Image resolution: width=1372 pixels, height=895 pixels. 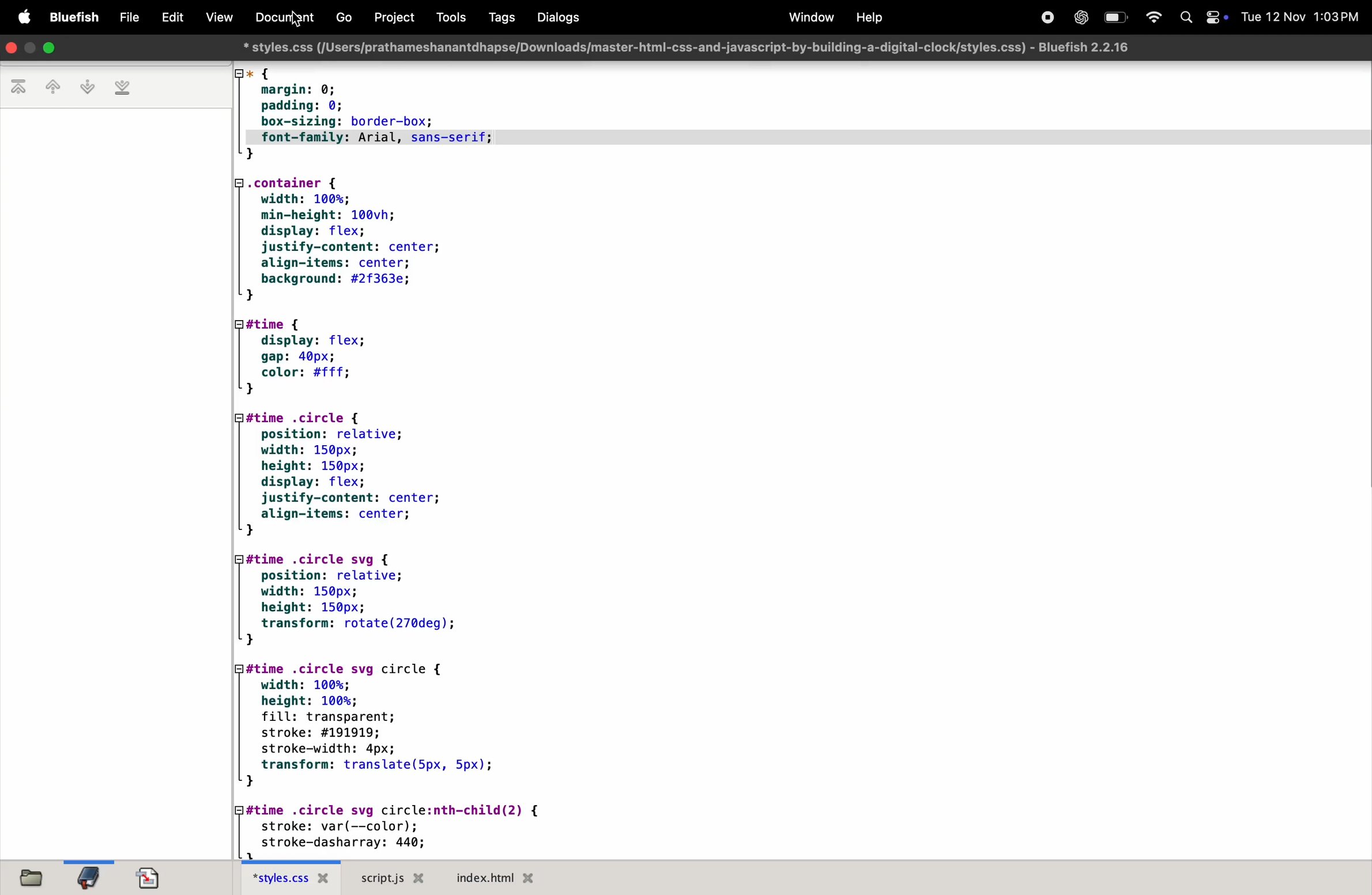 I want to click on File, so click(x=125, y=17).